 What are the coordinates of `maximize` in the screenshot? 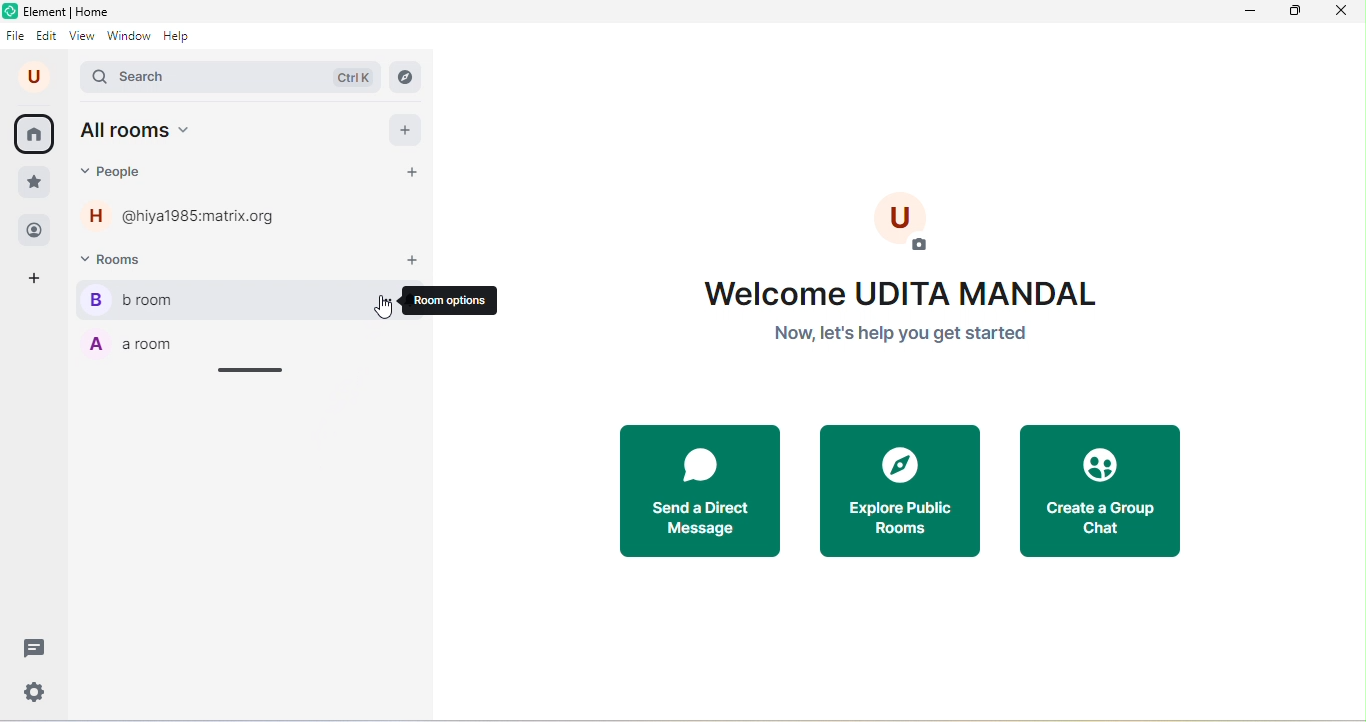 It's located at (1293, 11).